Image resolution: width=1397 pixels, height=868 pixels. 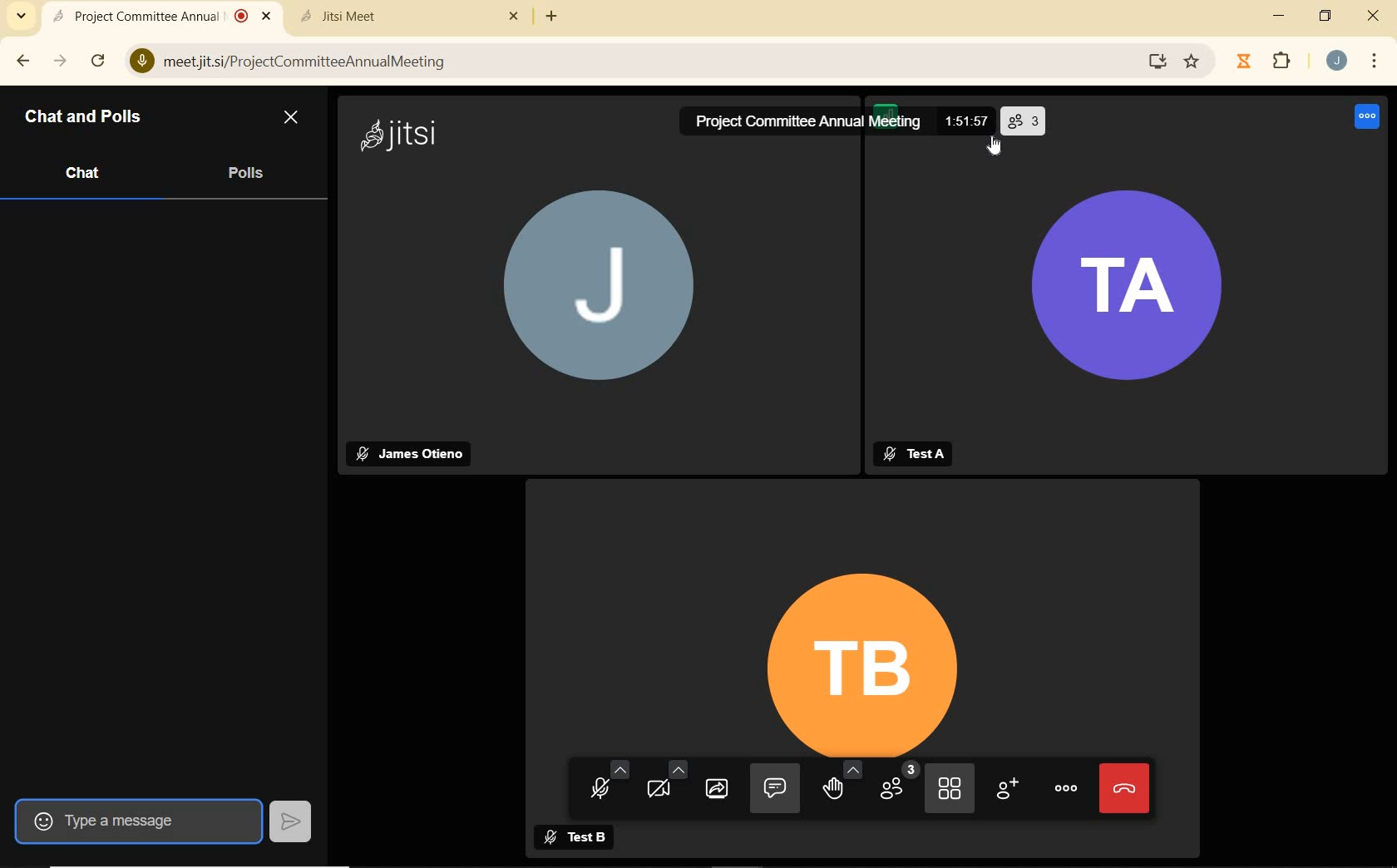 I want to click on microphone, so click(x=601, y=777).